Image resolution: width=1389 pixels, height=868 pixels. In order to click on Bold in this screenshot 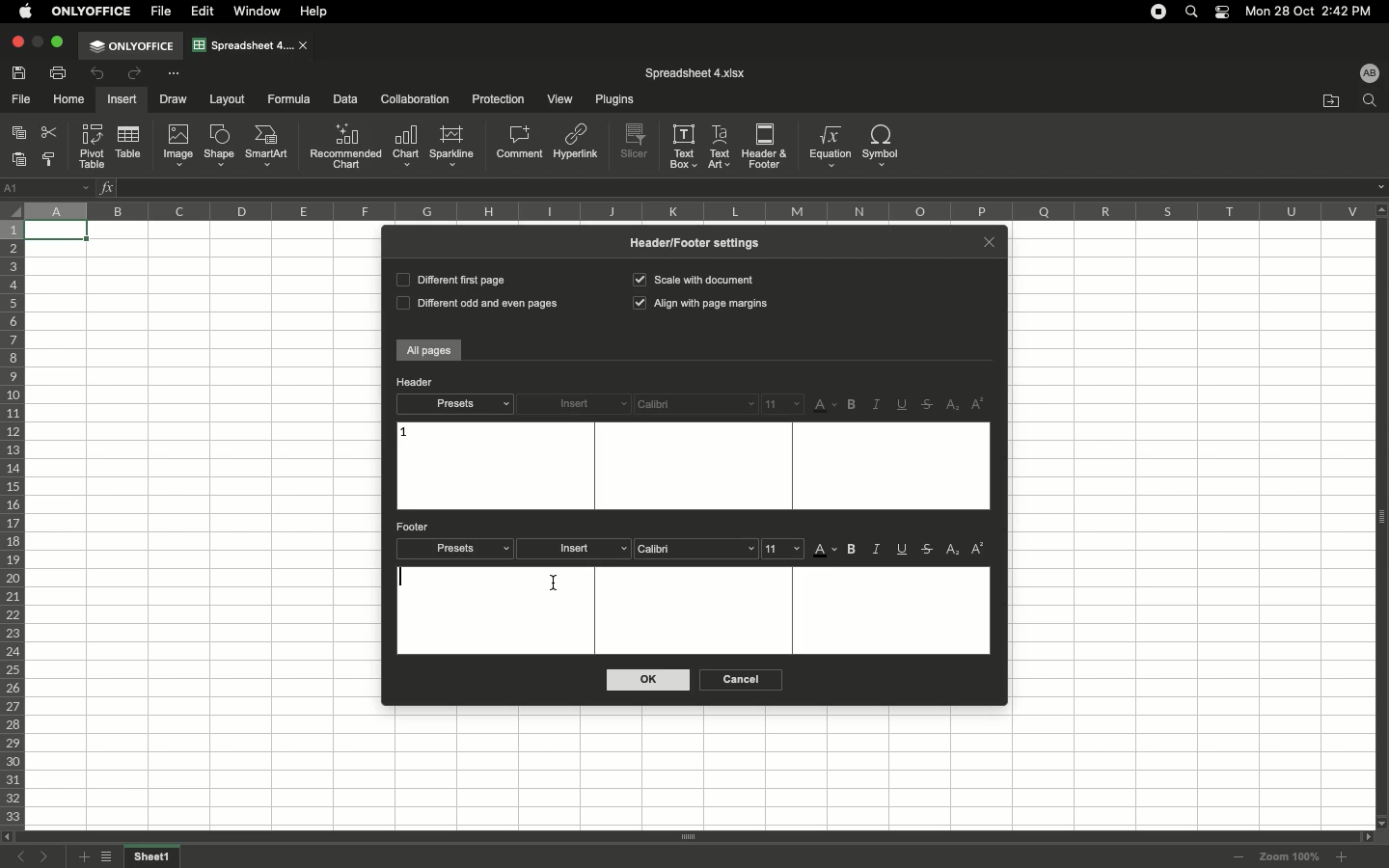, I will do `click(854, 550)`.